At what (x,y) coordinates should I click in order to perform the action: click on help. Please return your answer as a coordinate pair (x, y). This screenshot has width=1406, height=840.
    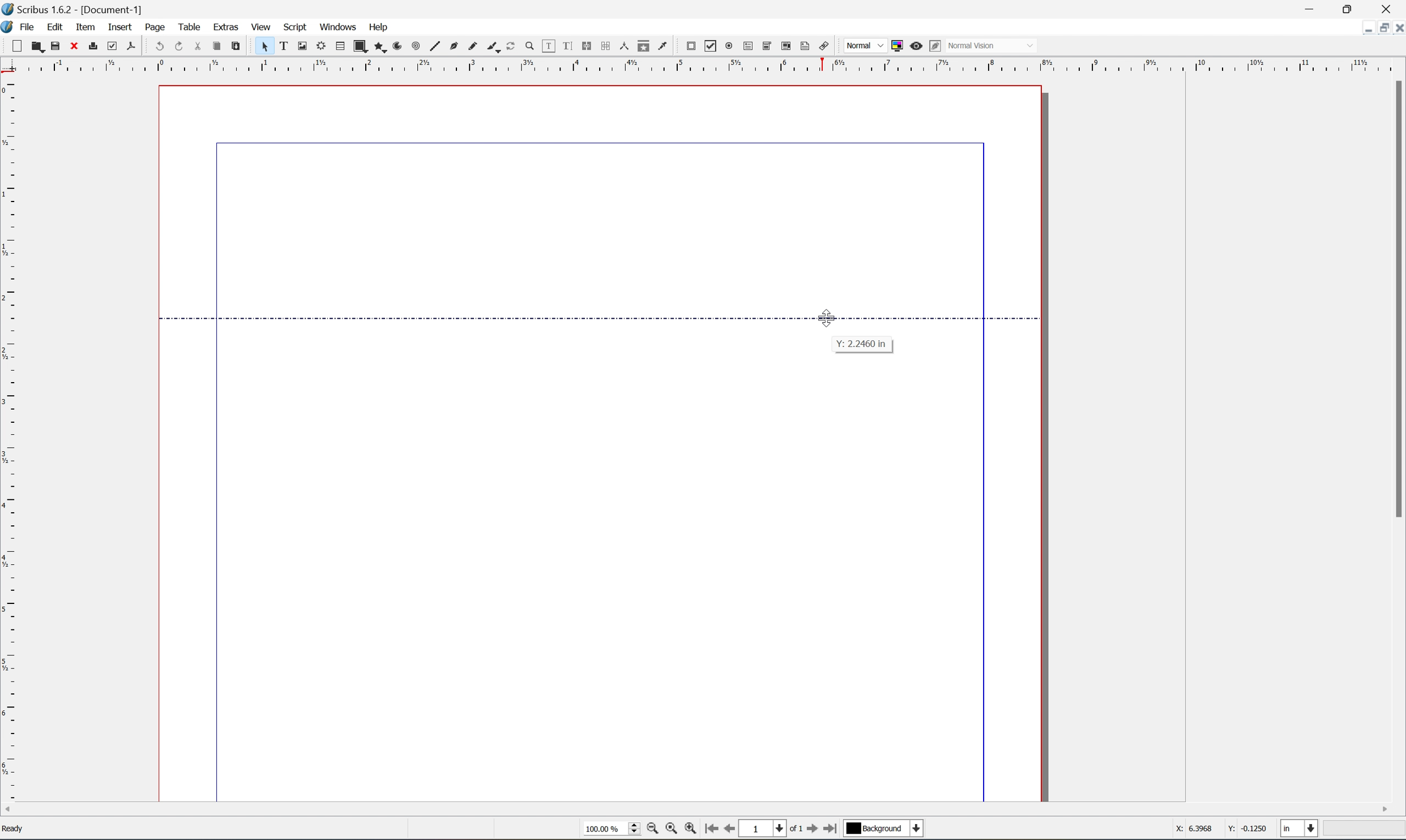
    Looking at the image, I should click on (379, 27).